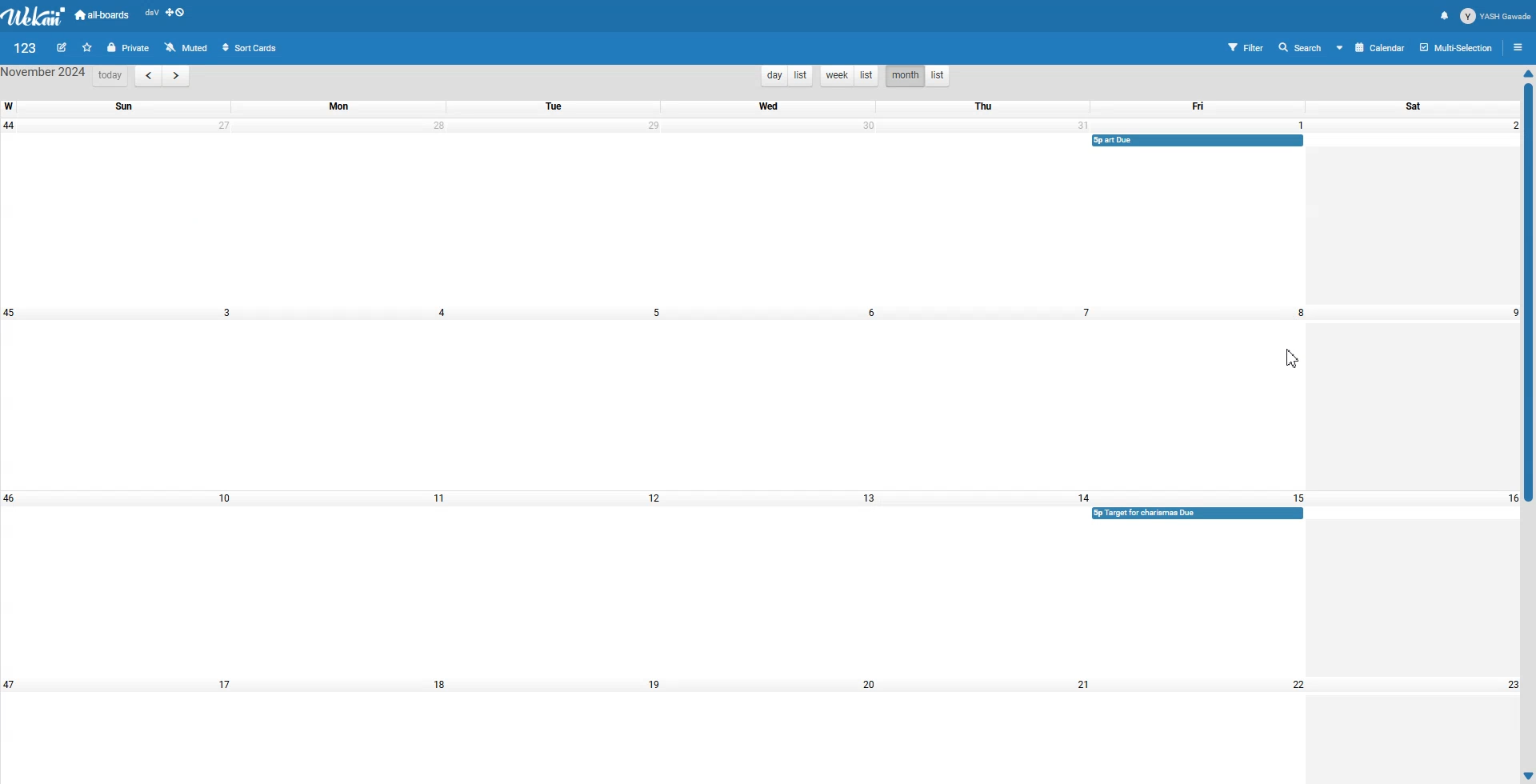  Describe the element at coordinates (1370, 48) in the screenshot. I see `Calendar` at that location.